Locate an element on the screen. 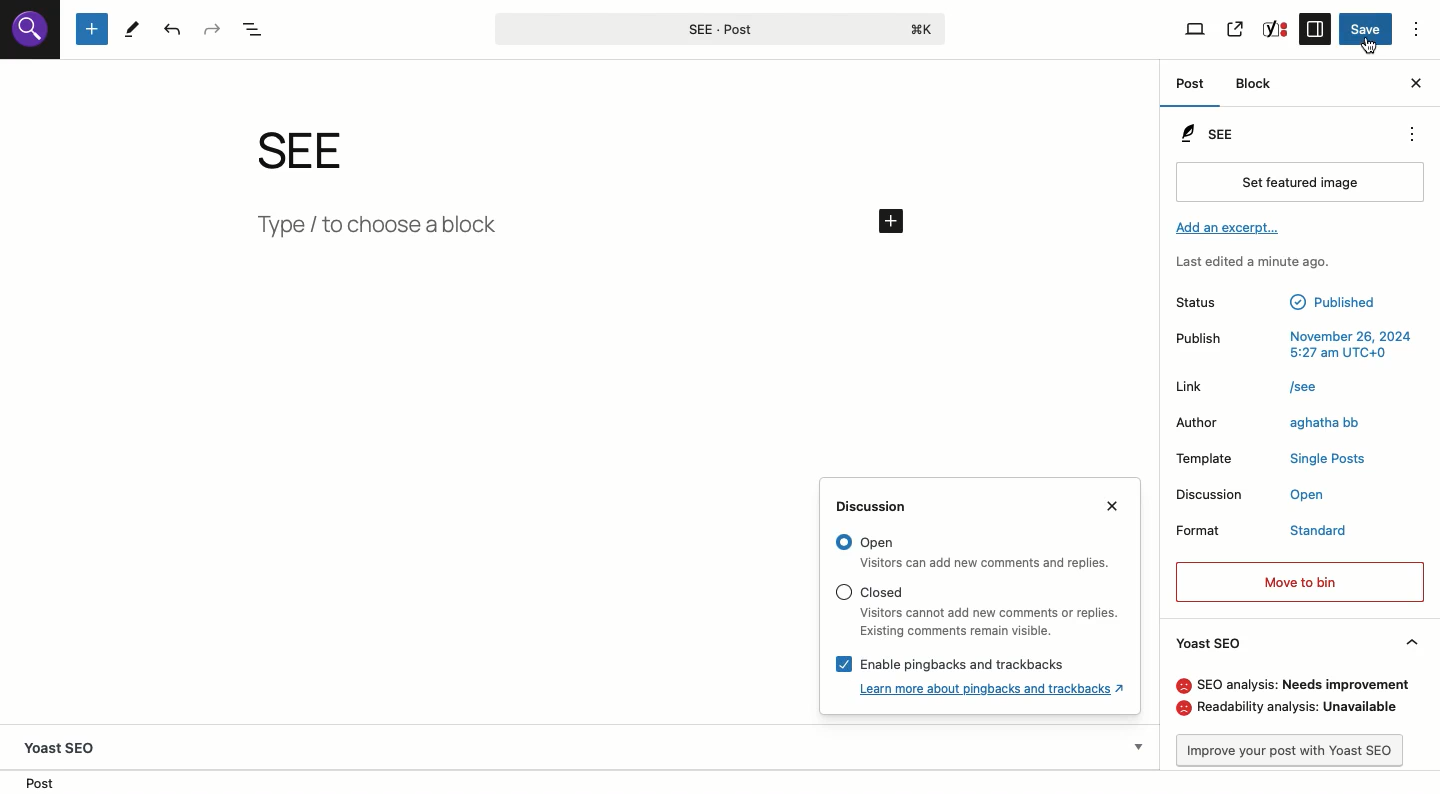 This screenshot has width=1440, height=794. Show is located at coordinates (1137, 743).